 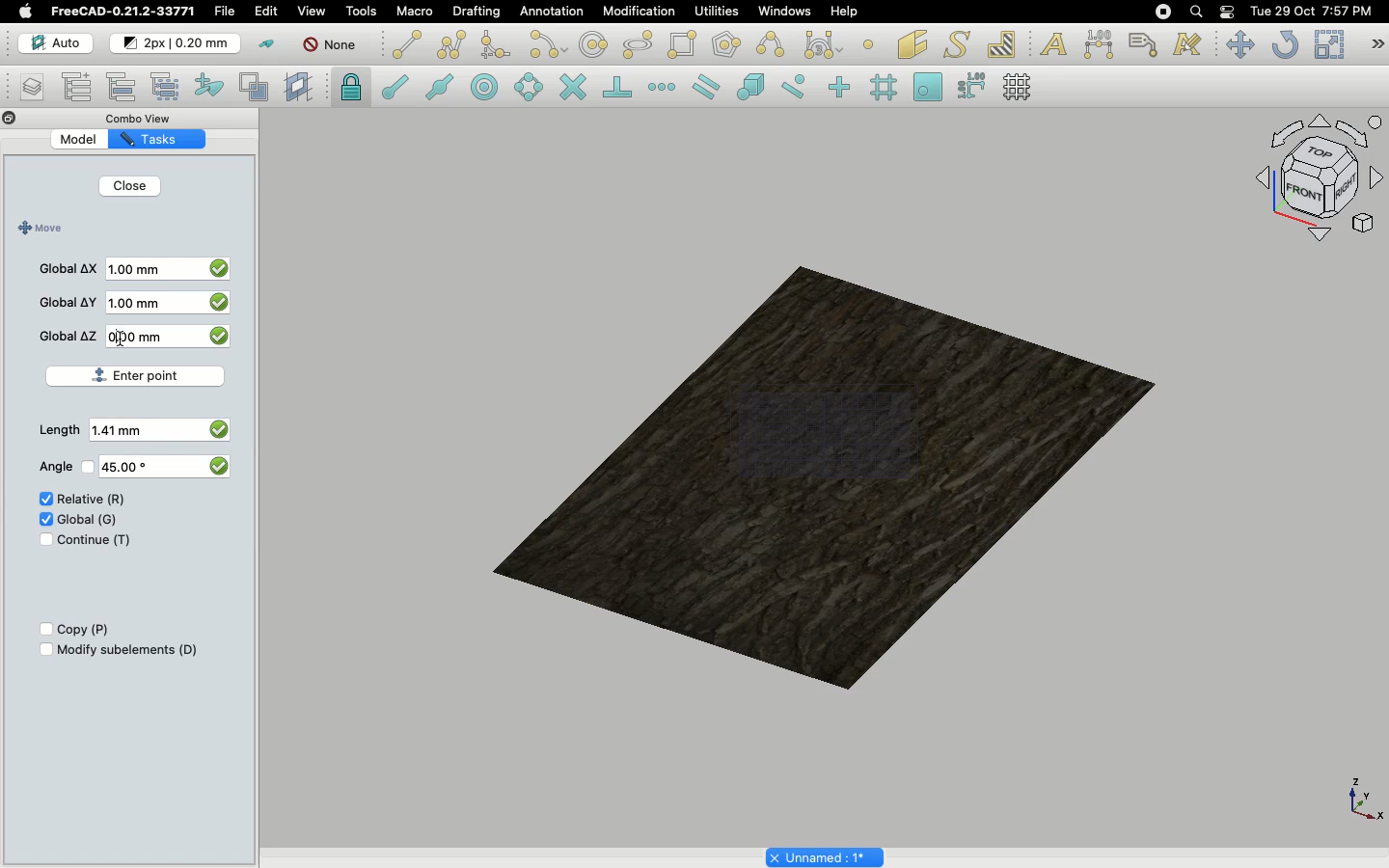 What do you see at coordinates (912, 46) in the screenshot?
I see `Facebinder` at bounding box center [912, 46].